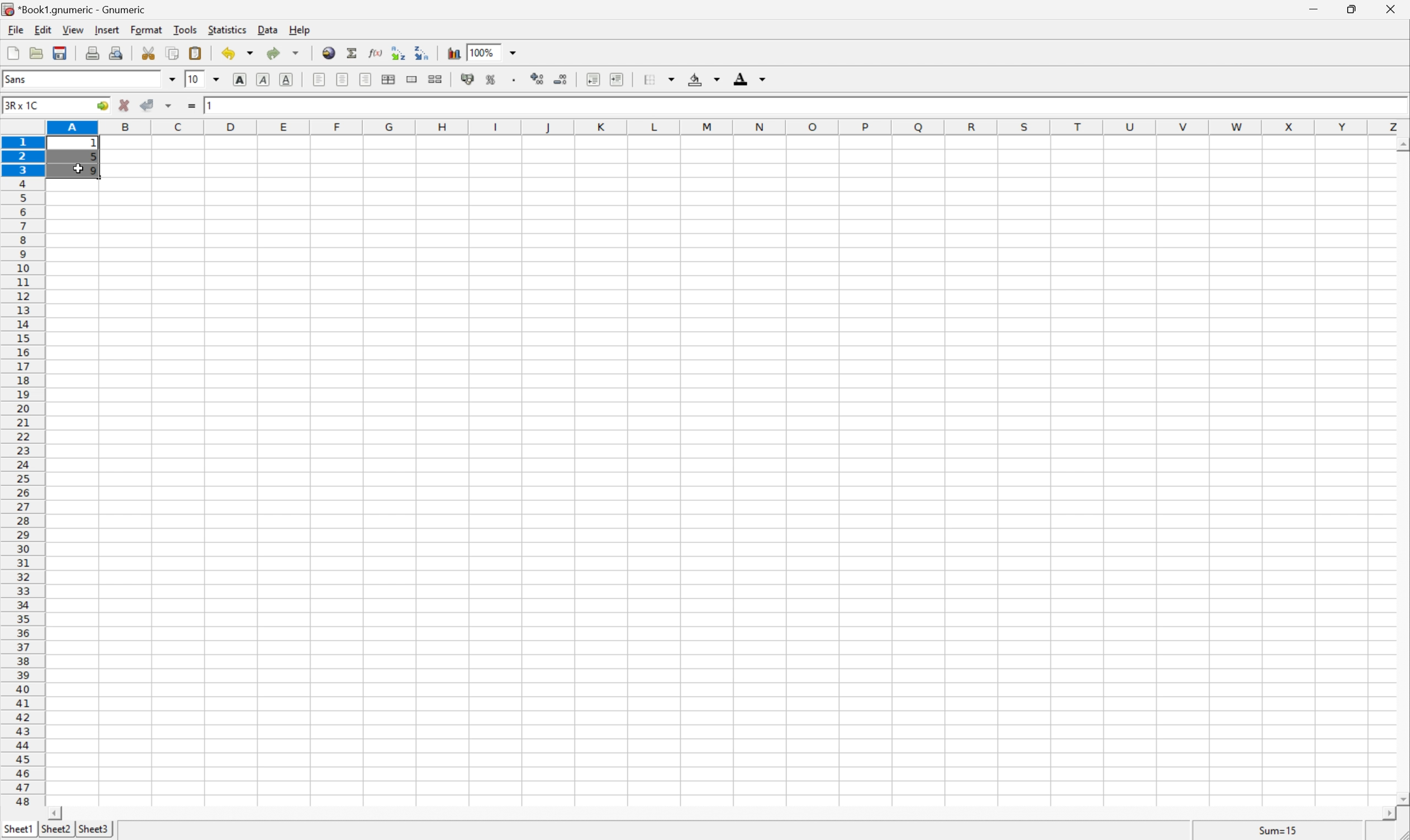  Describe the element at coordinates (22, 78) in the screenshot. I see `font` at that location.